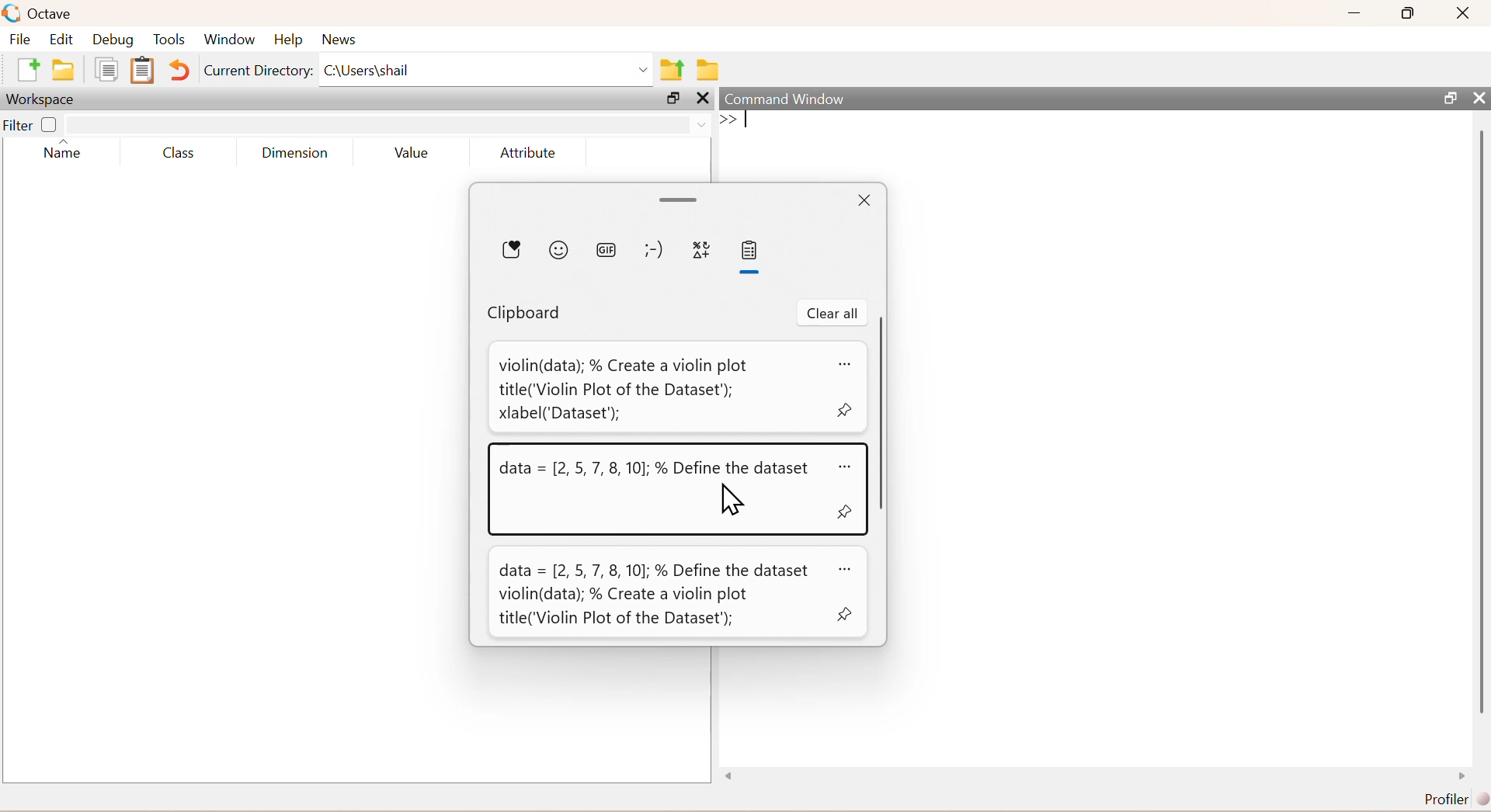 The height and width of the screenshot is (812, 1491). Describe the element at coordinates (62, 39) in the screenshot. I see `edit` at that location.